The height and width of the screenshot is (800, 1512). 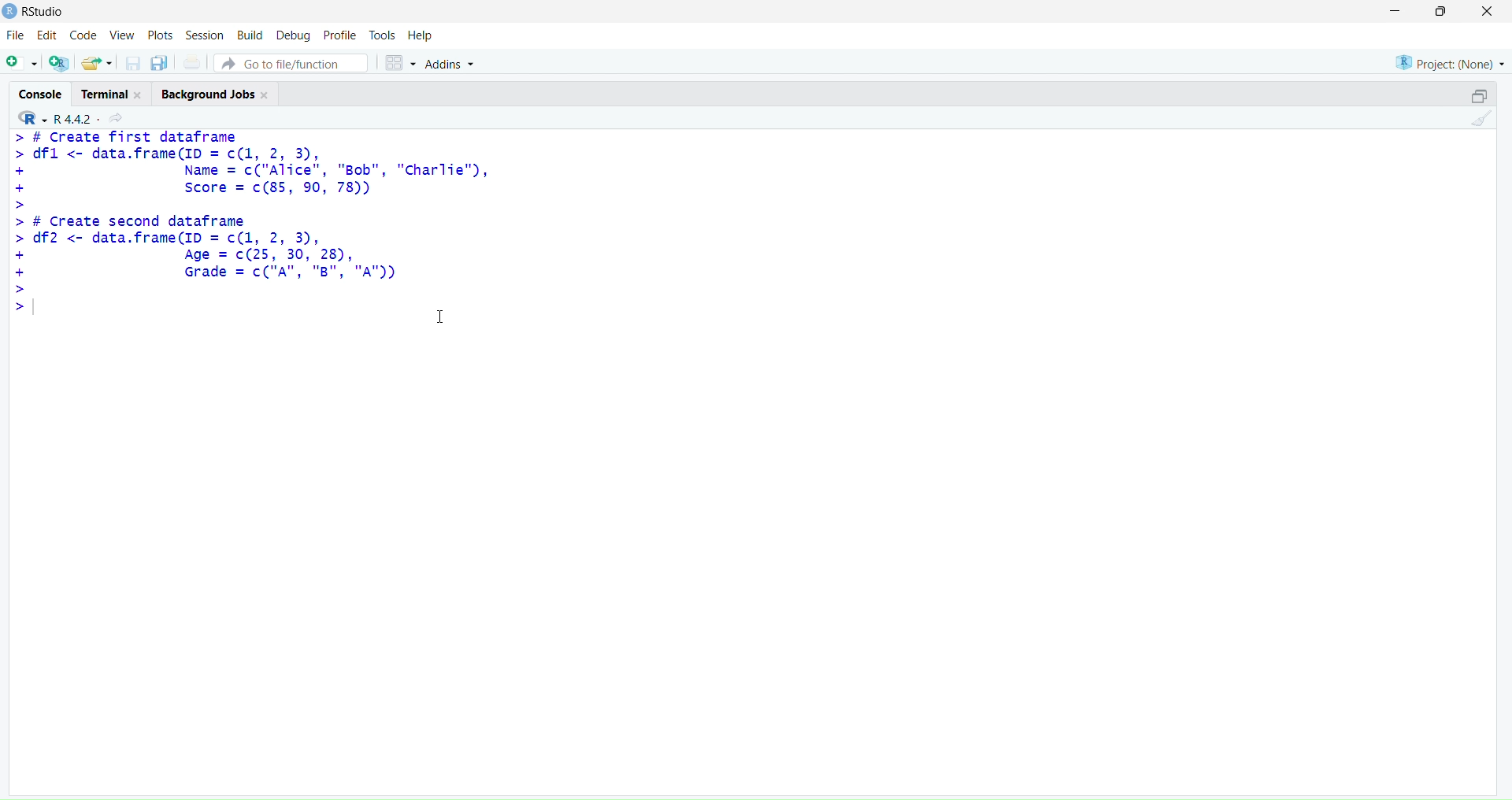 What do you see at coordinates (251, 213) in the screenshot?
I see `# Create Tirst dataframe
dfl <- data.frame(ID = c(1, 2, 3),
Name = c("Alice", "Bob", "Char
Score = c(85, 90, 78))
# Create second dataframe
df2 <- data.frame(ID = c(1, 2, 3),
Age = c(25, 30, 28),
Grade = c("A", "B", "A"))` at bounding box center [251, 213].